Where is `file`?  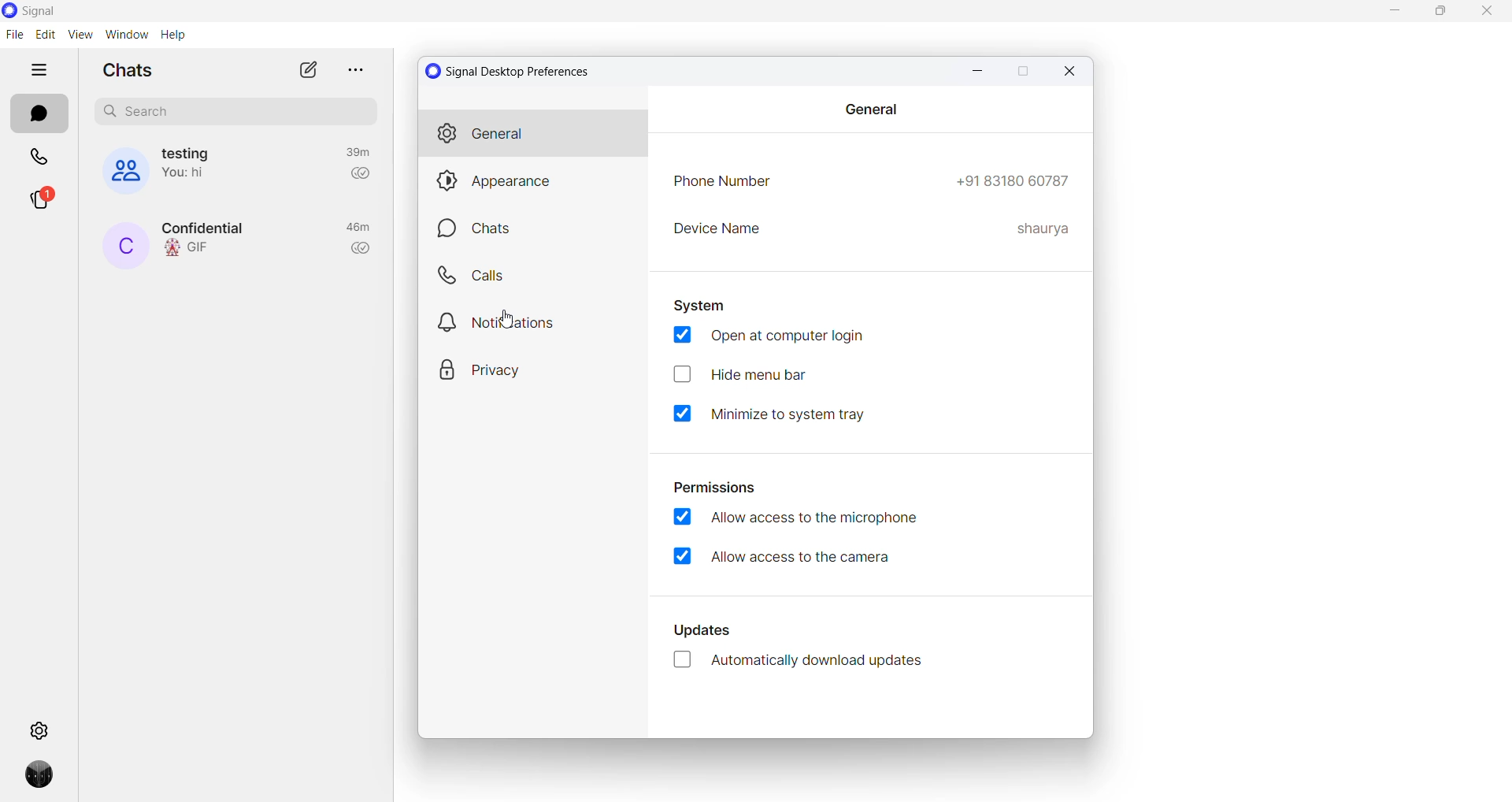
file is located at coordinates (14, 35).